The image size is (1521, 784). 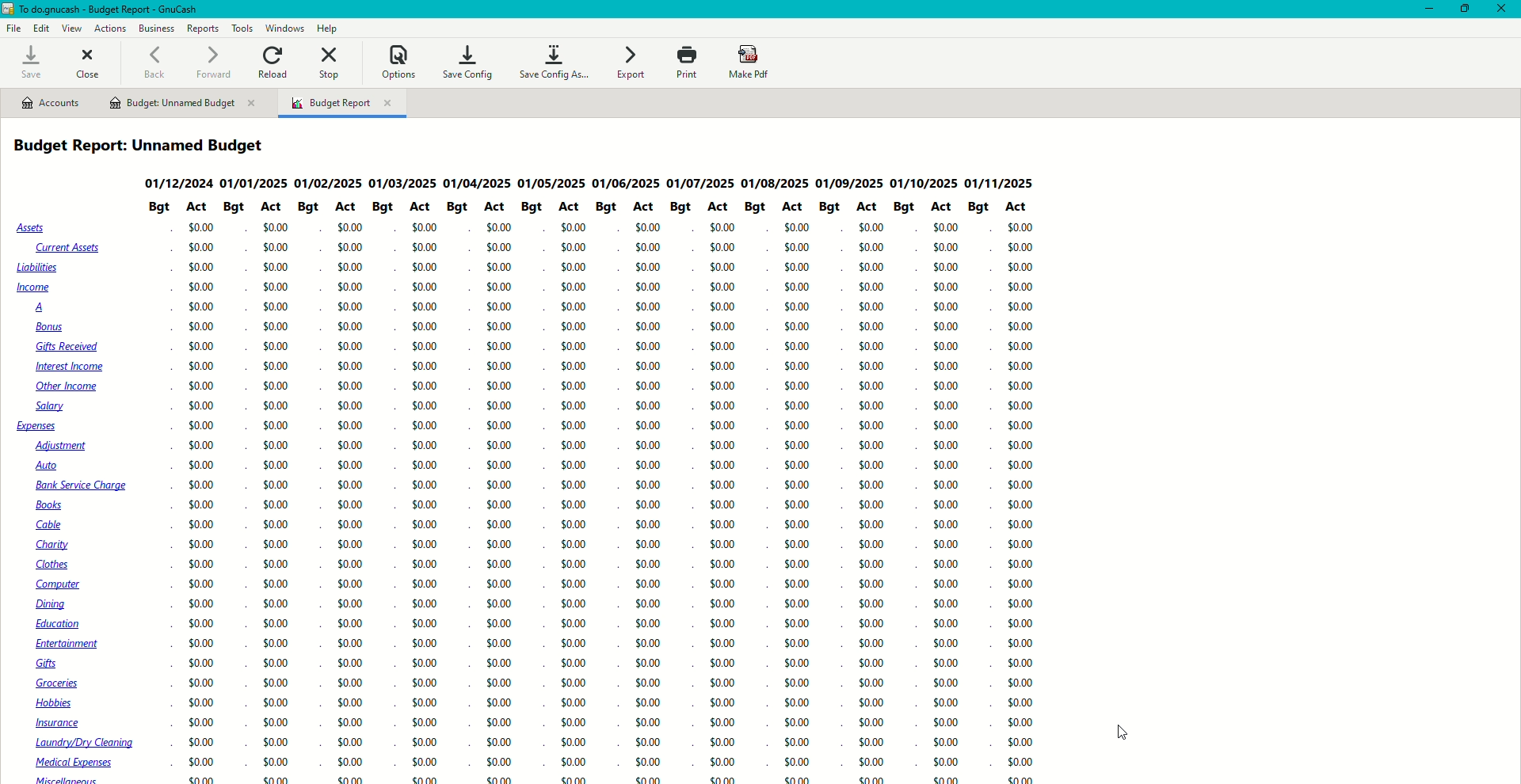 What do you see at coordinates (29, 63) in the screenshot?
I see `Save` at bounding box center [29, 63].